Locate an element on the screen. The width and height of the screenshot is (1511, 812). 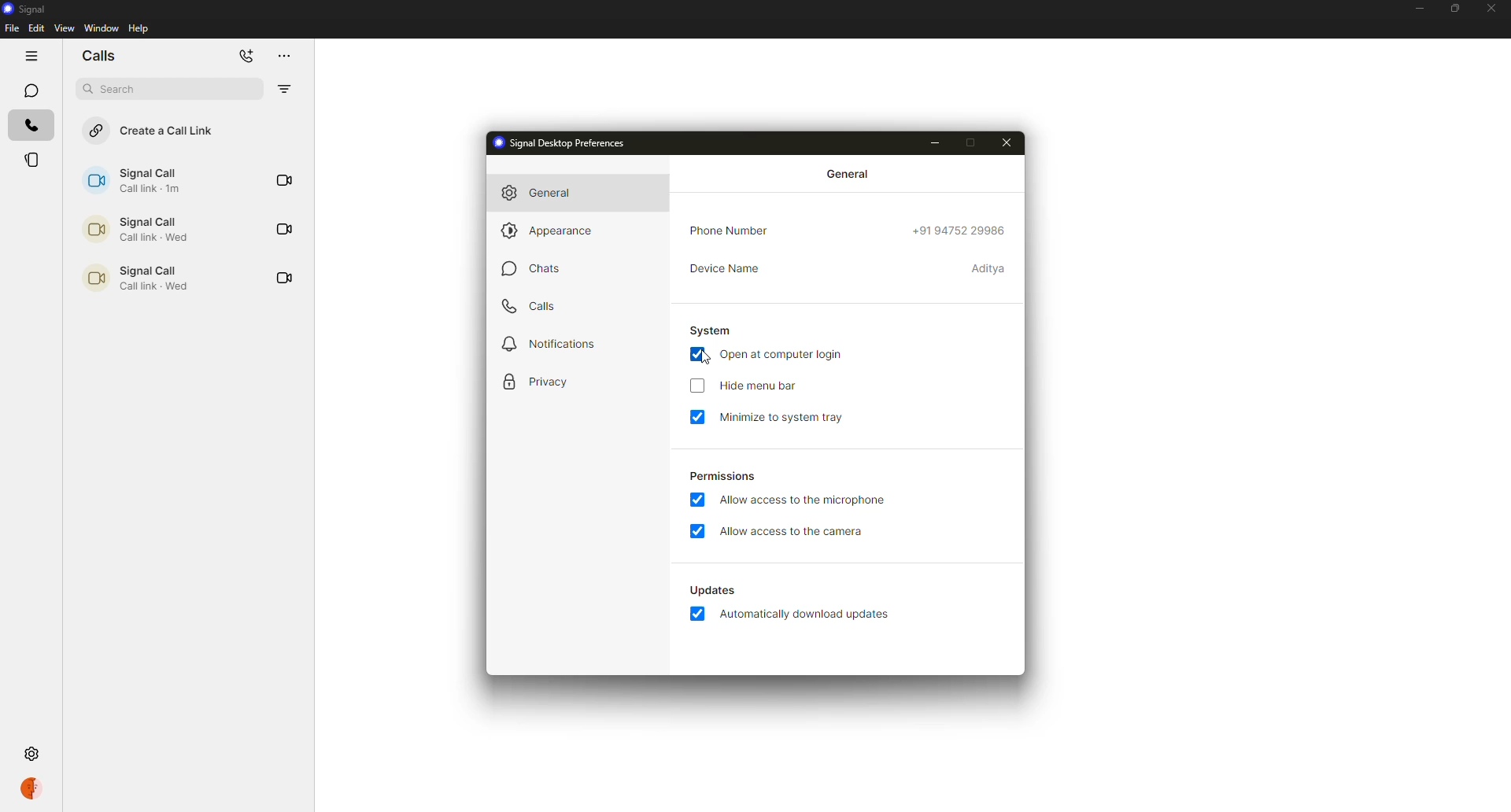
enabled is located at coordinates (700, 499).